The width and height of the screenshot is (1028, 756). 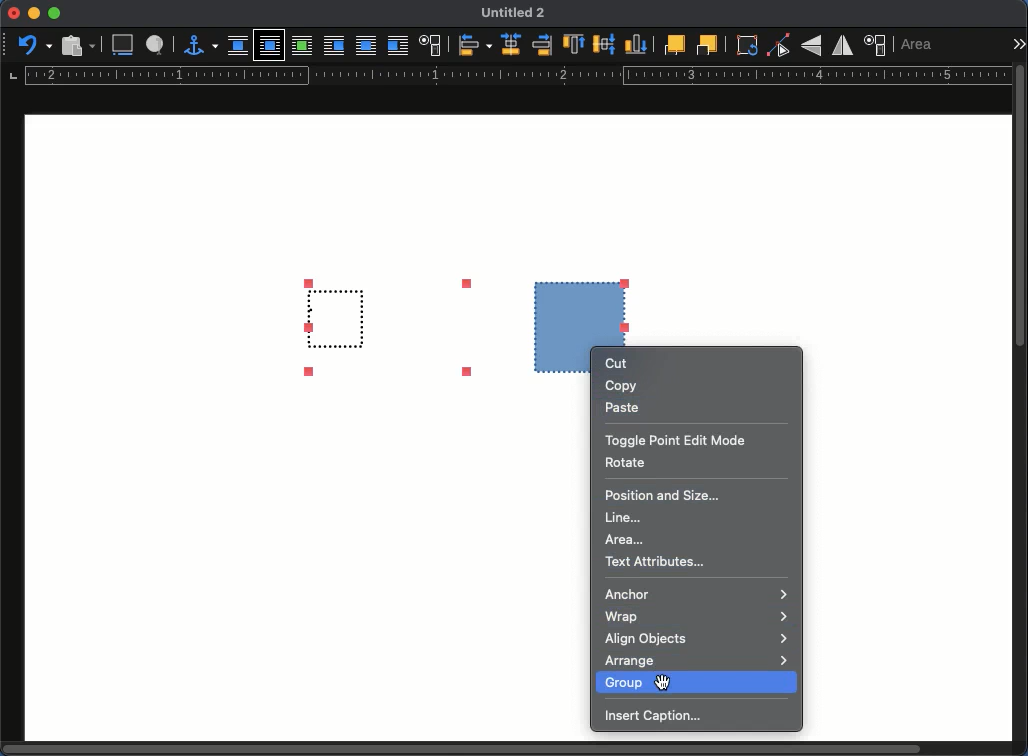 What do you see at coordinates (542, 45) in the screenshot?
I see `right` at bounding box center [542, 45].